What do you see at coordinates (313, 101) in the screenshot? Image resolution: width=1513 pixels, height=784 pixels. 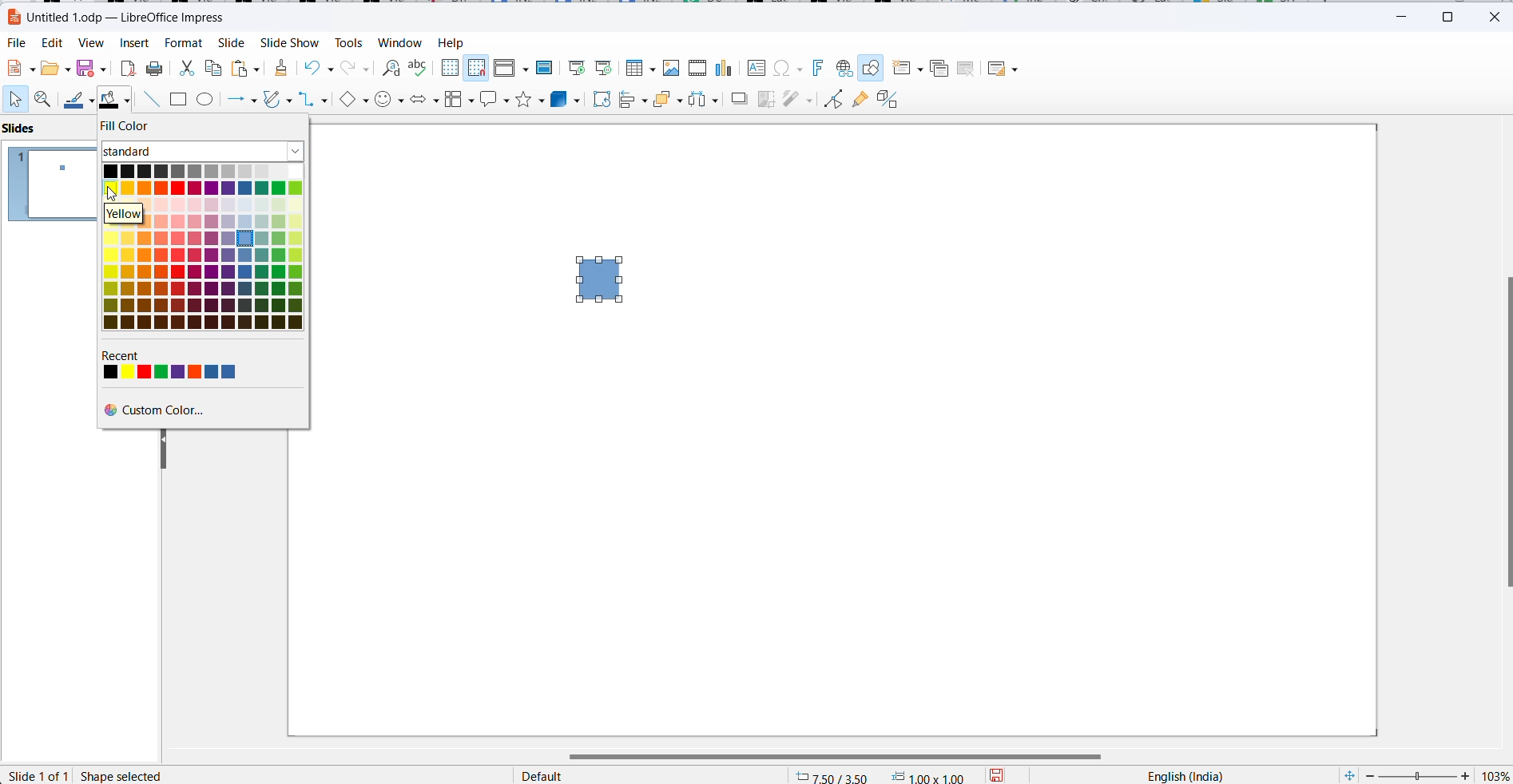 I see `connectors` at bounding box center [313, 101].